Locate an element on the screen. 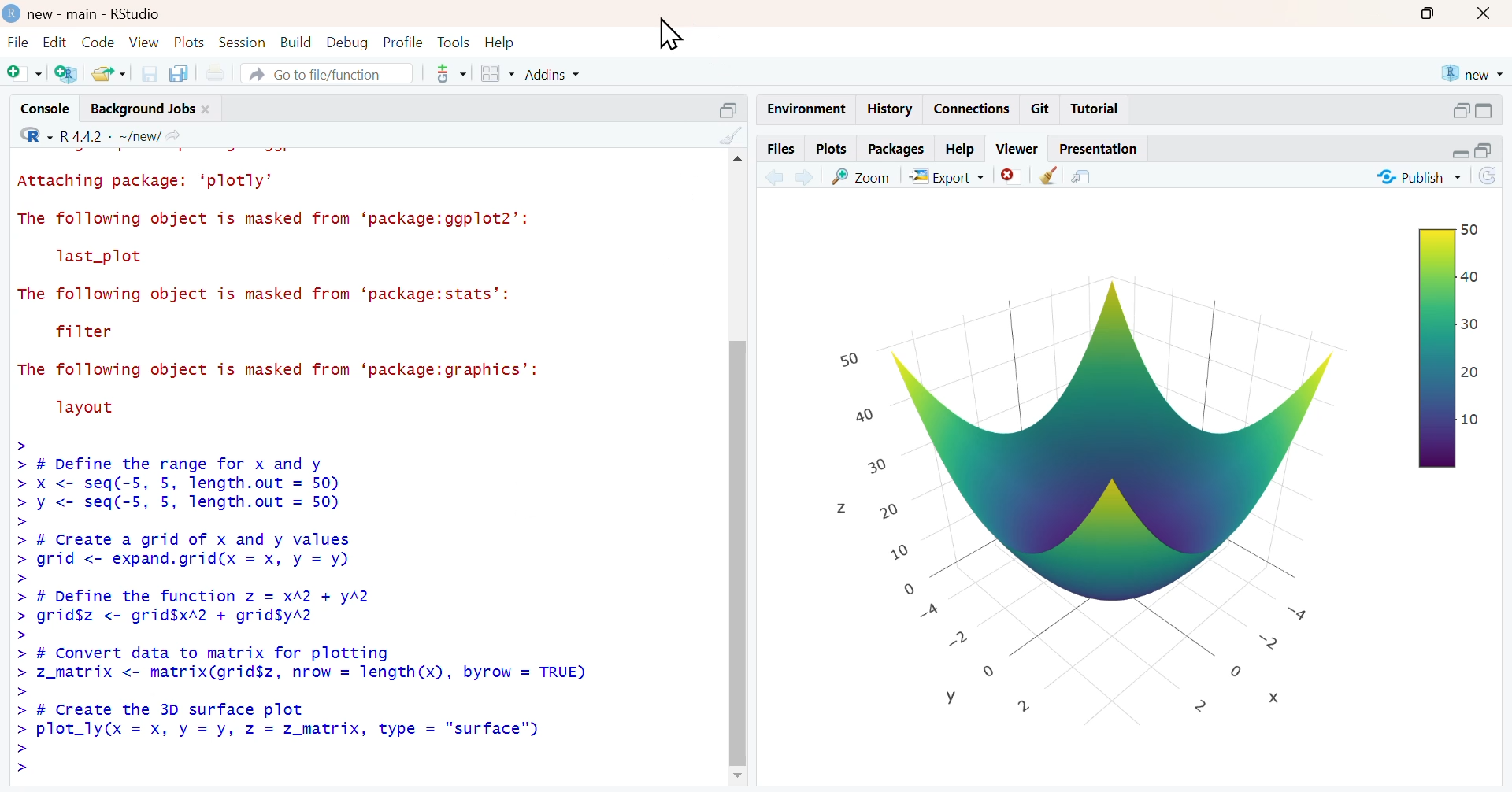  build is located at coordinates (297, 42).